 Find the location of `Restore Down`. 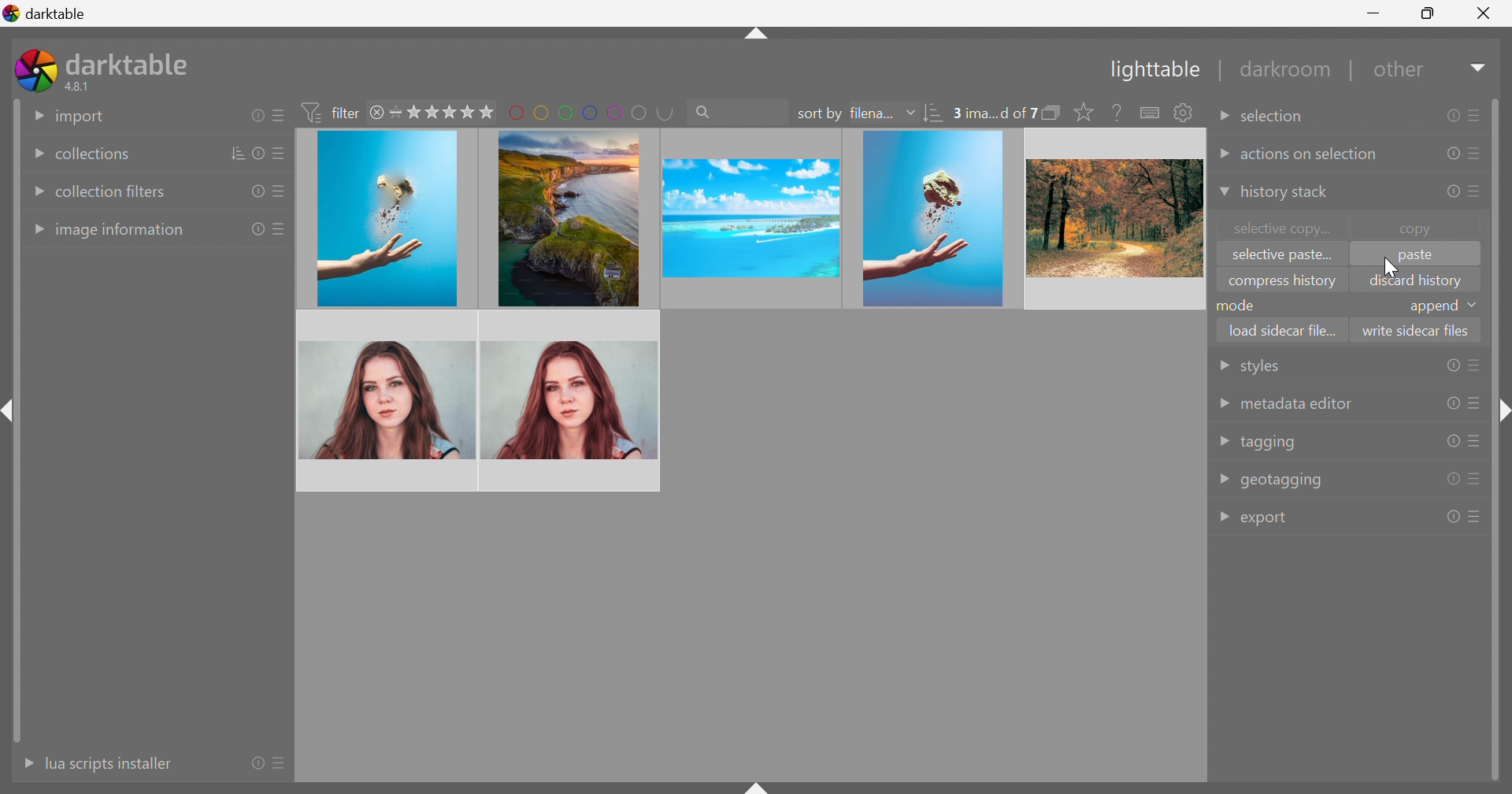

Restore Down is located at coordinates (1429, 11).